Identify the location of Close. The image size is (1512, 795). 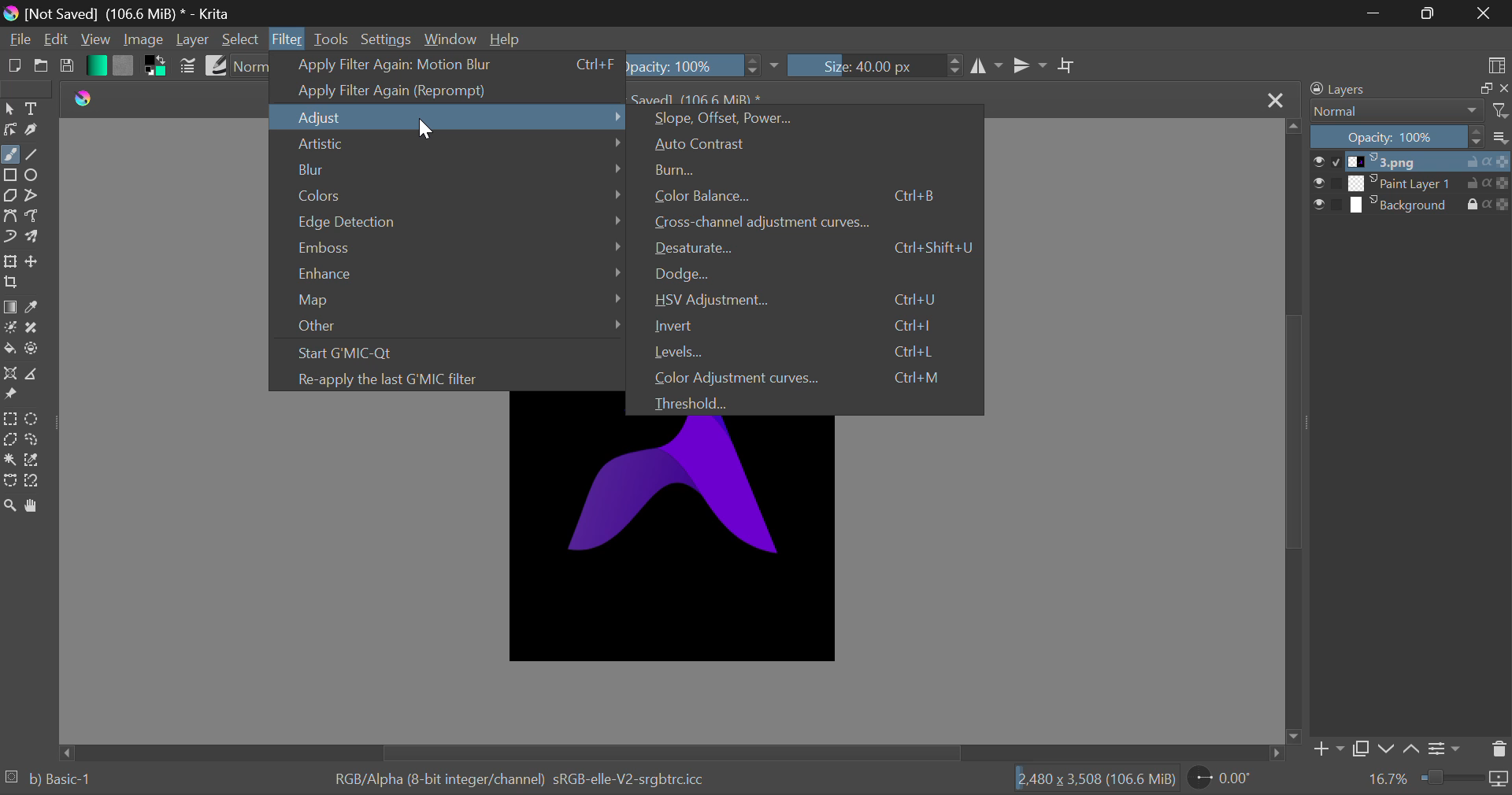
(1482, 13).